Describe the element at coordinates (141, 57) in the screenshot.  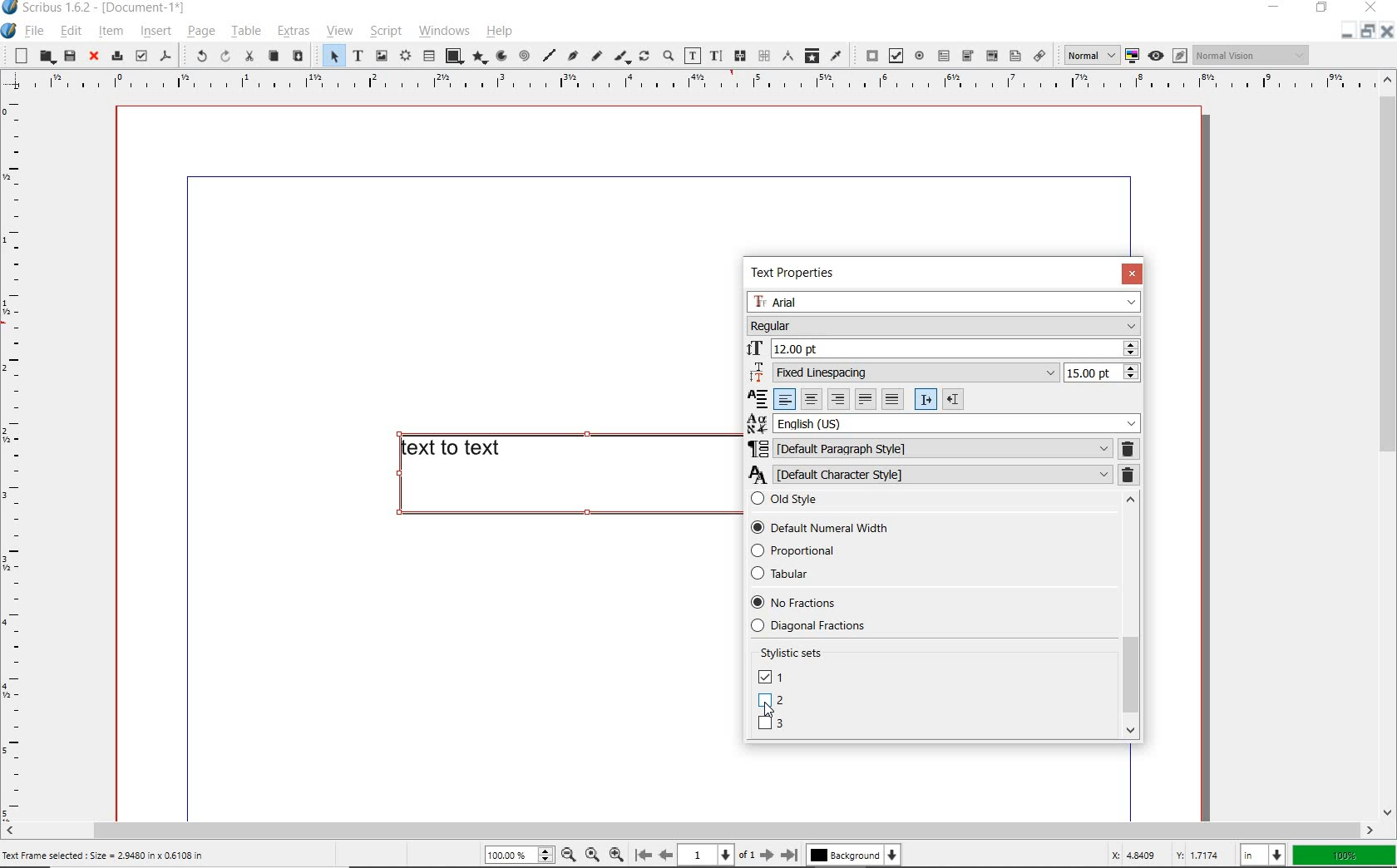
I see `preflight verifier` at that location.